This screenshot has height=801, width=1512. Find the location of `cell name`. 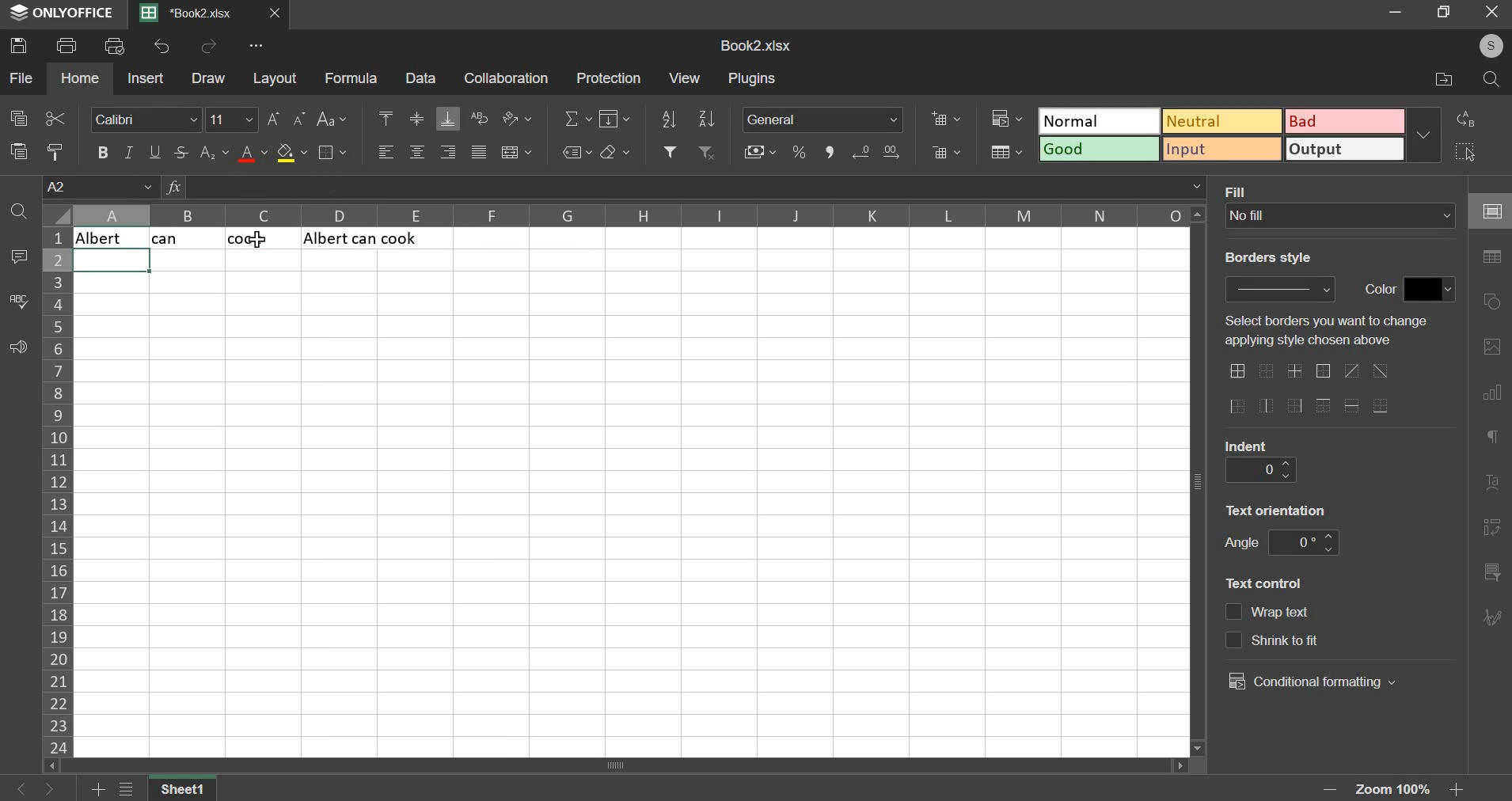

cell name is located at coordinates (101, 188).